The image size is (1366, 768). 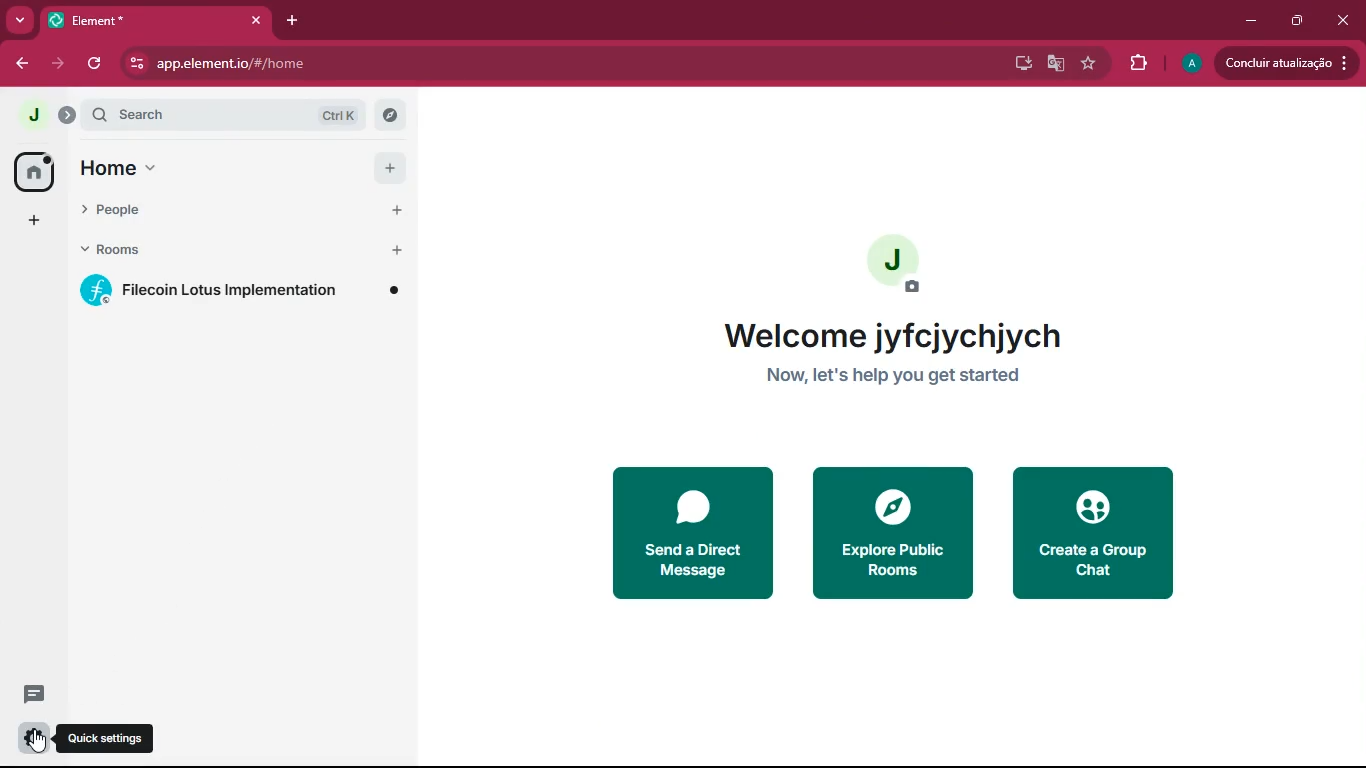 I want to click on Welcome jyfcjychjych, so click(x=891, y=336).